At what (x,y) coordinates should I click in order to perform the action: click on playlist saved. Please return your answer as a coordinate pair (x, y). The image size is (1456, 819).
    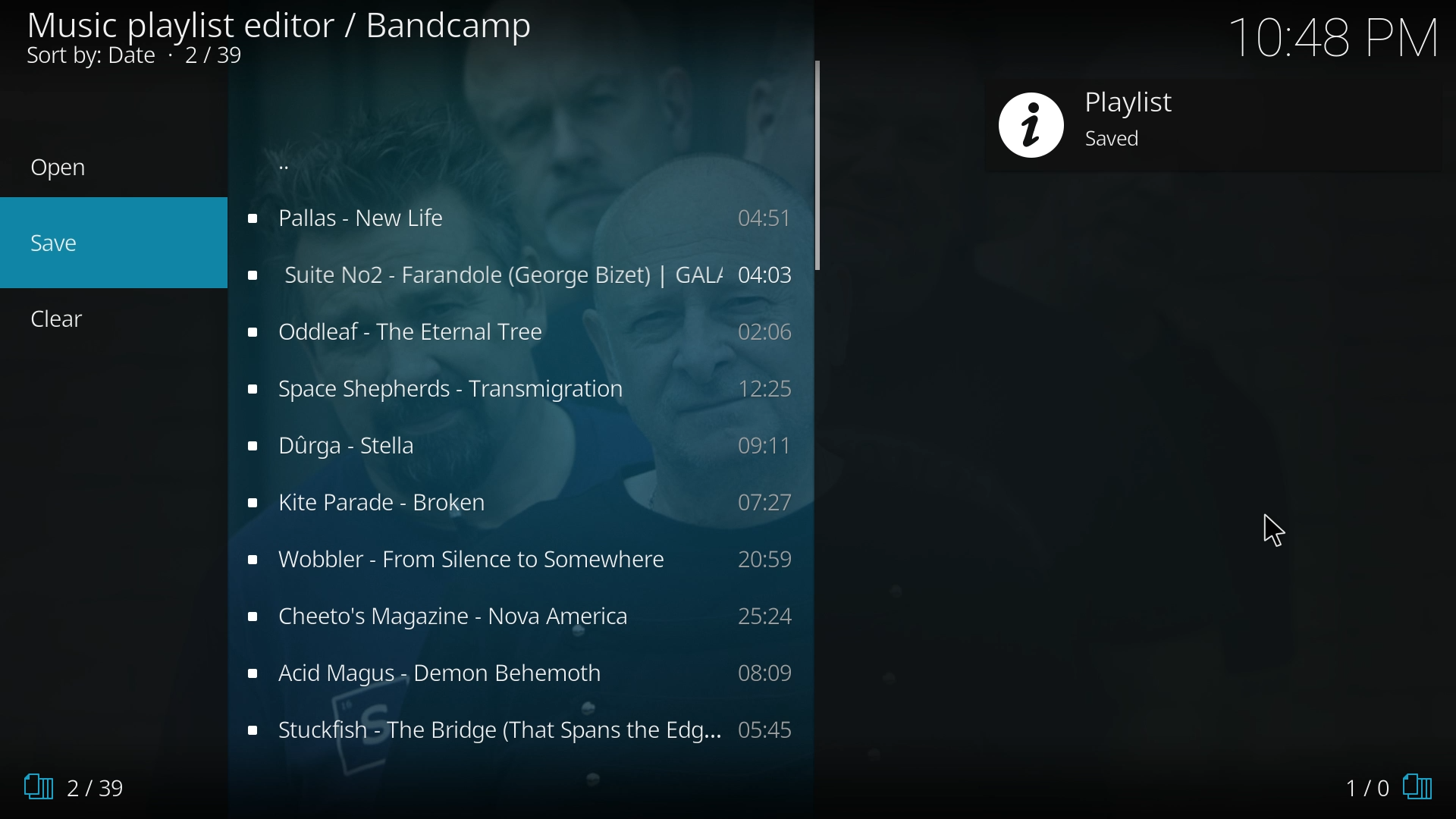
    Looking at the image, I should click on (1118, 119).